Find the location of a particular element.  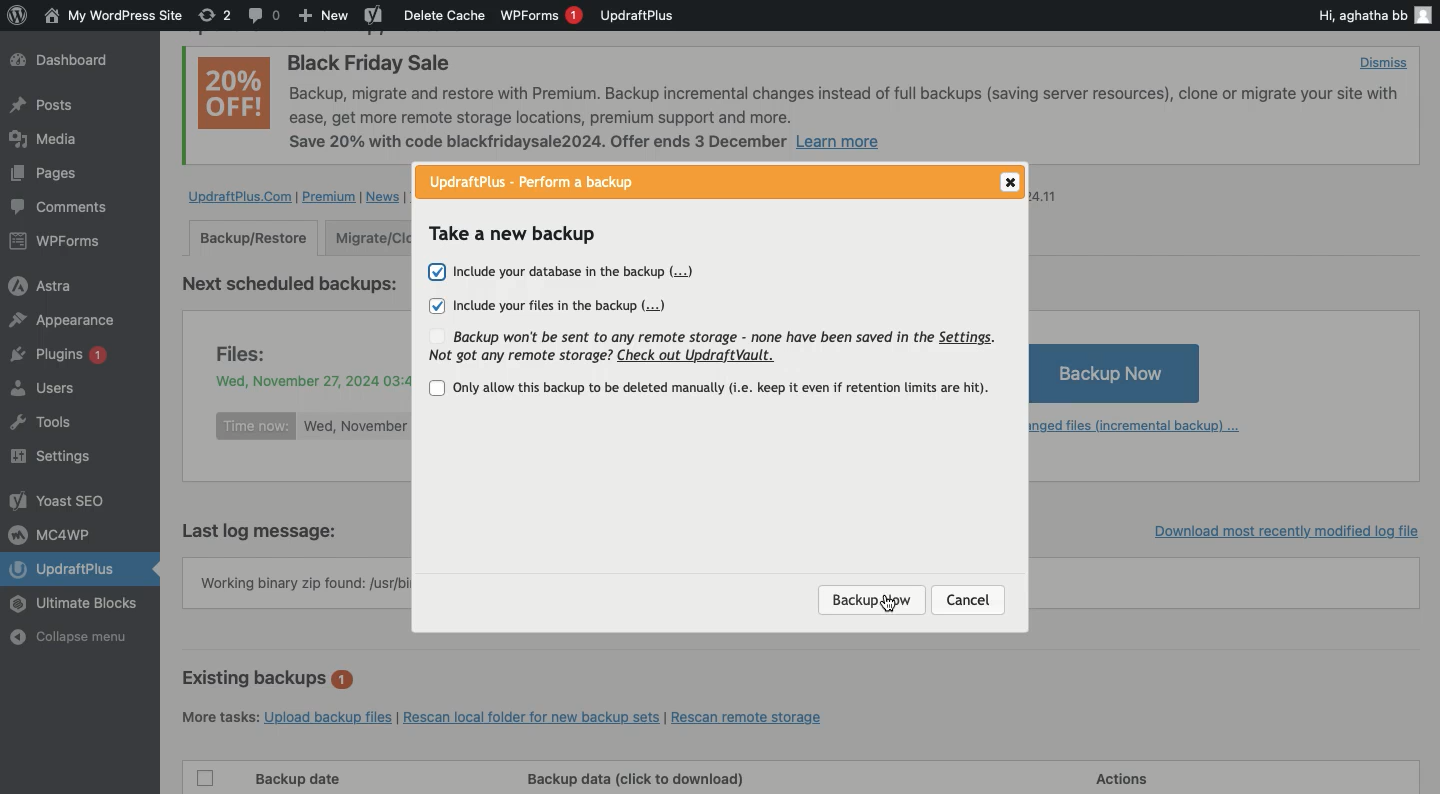

Appearance is located at coordinates (62, 319).